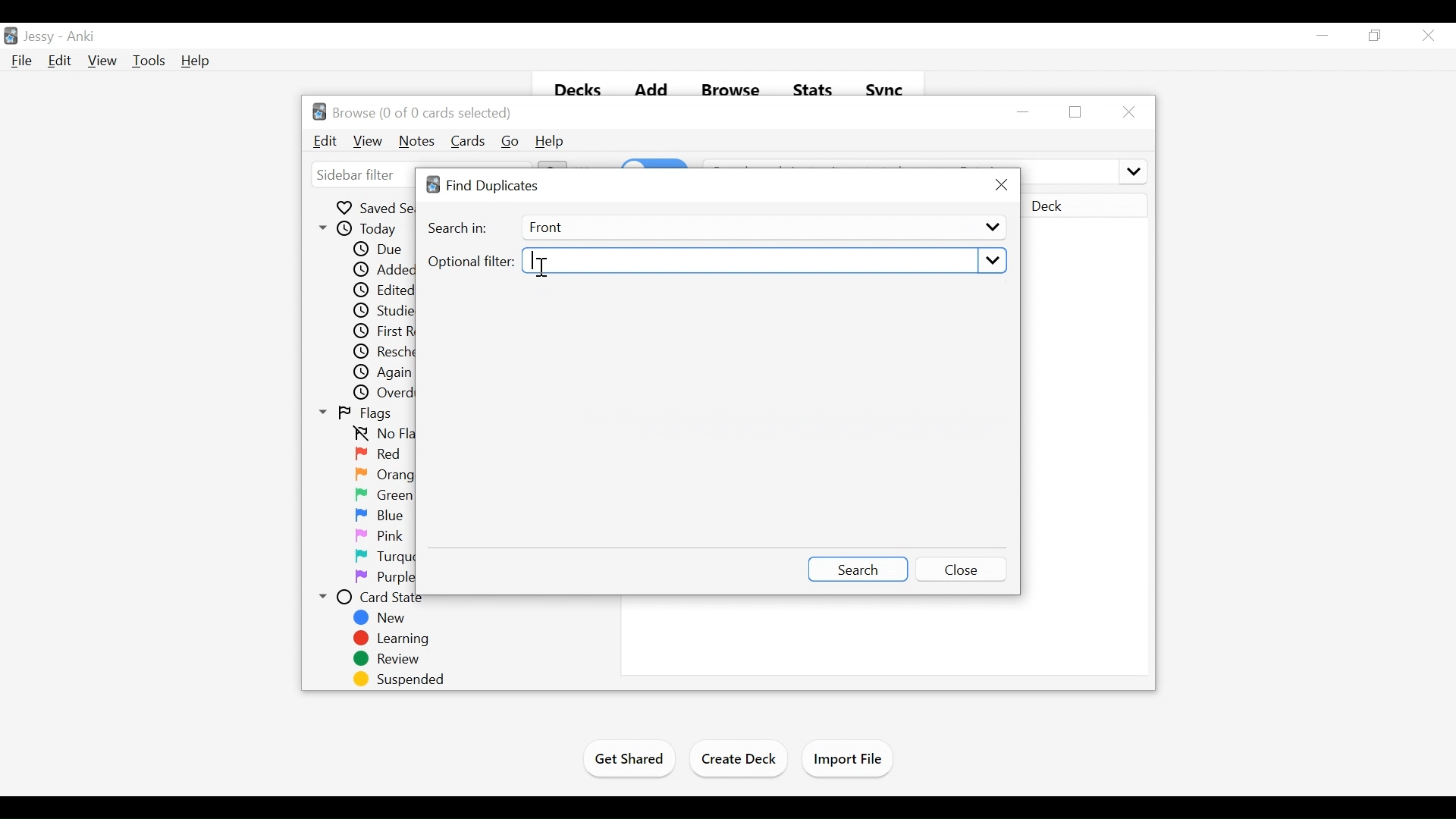 This screenshot has width=1456, height=819. What do you see at coordinates (360, 229) in the screenshot?
I see `Today` at bounding box center [360, 229].